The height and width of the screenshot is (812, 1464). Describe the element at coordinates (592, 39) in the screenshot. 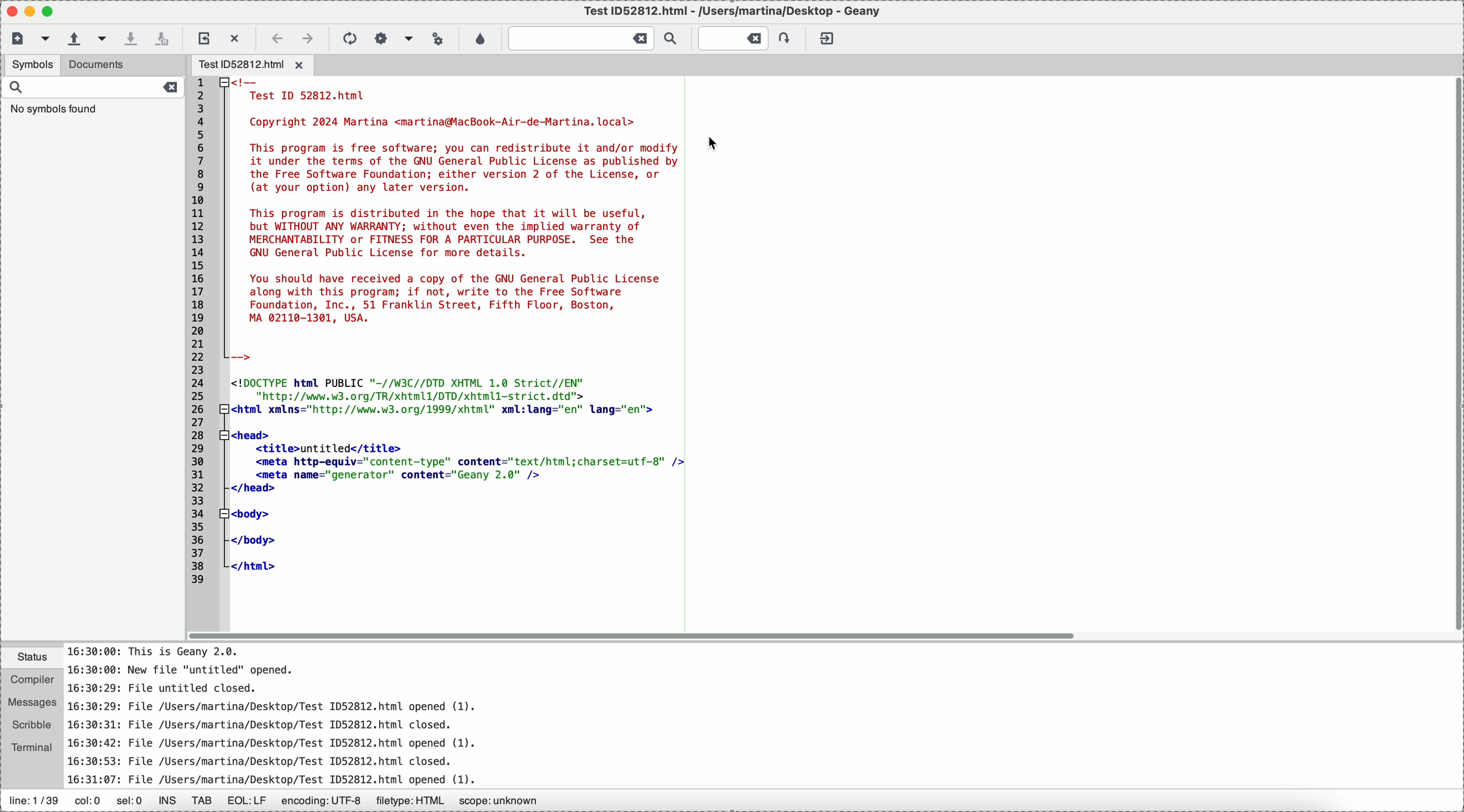

I see `find the entered text in the current file` at that location.